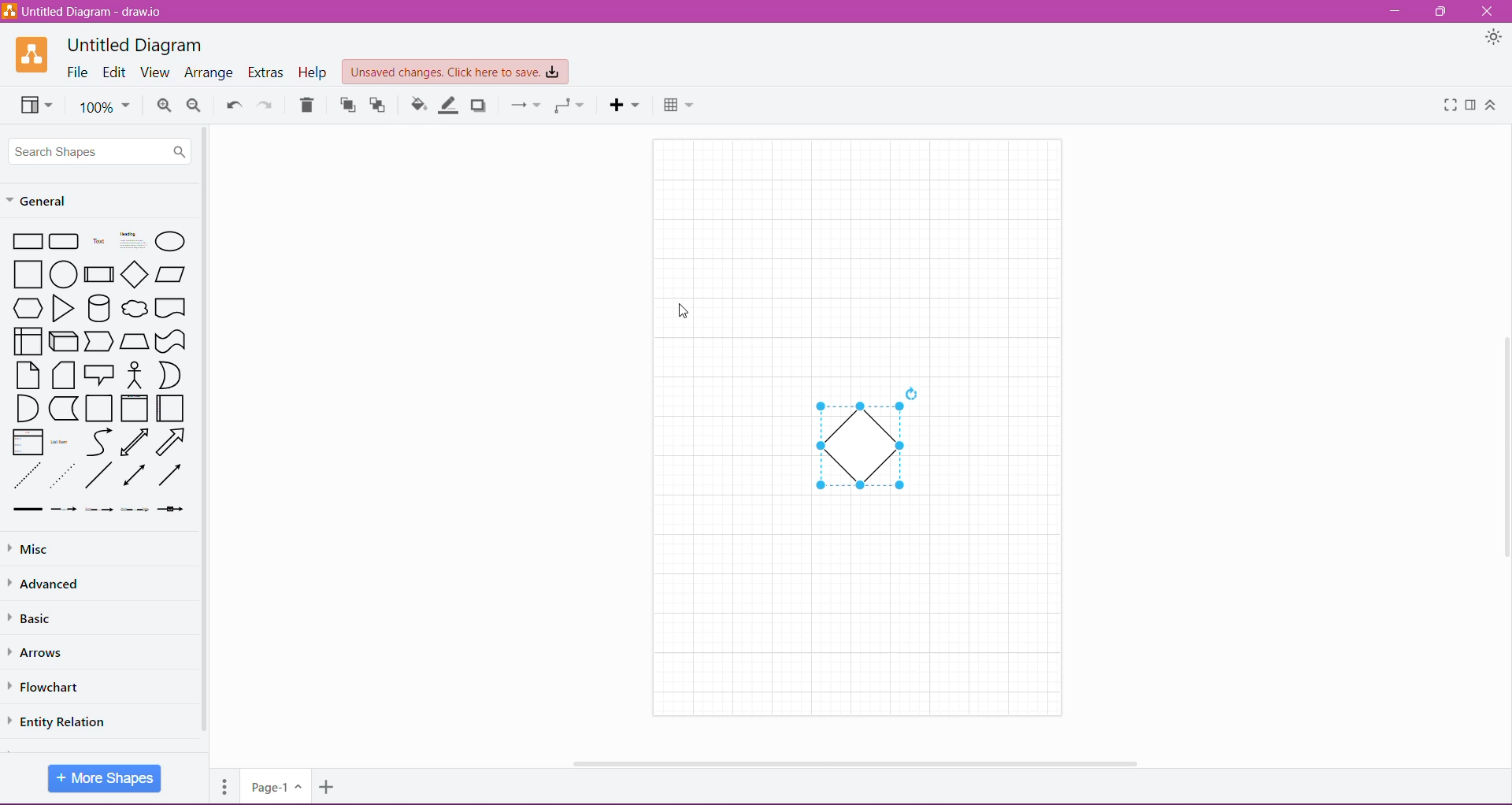 The image size is (1512, 805). I want to click on Unsaved Changes. Click here to save, so click(454, 72).